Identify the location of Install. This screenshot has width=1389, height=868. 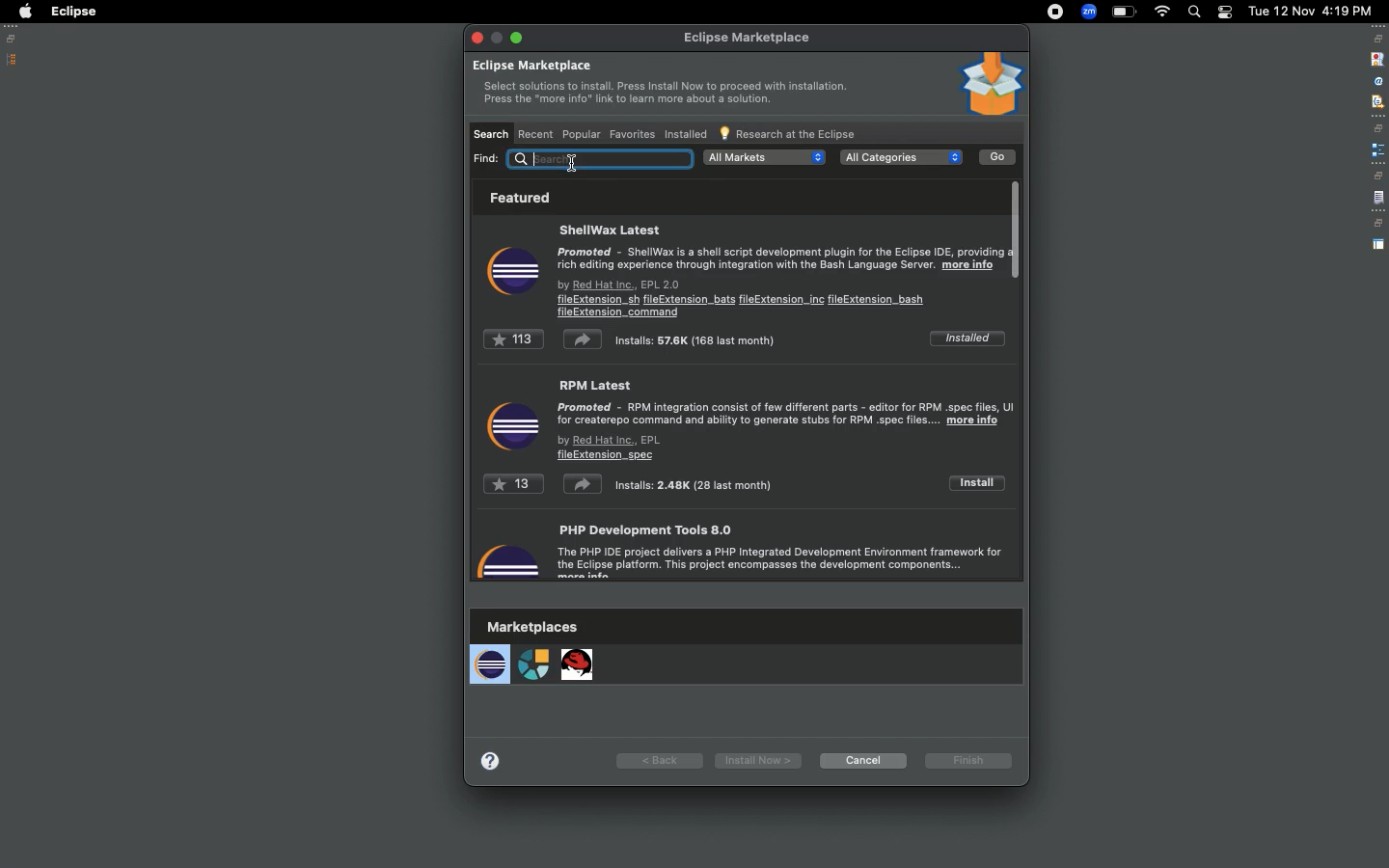
(976, 482).